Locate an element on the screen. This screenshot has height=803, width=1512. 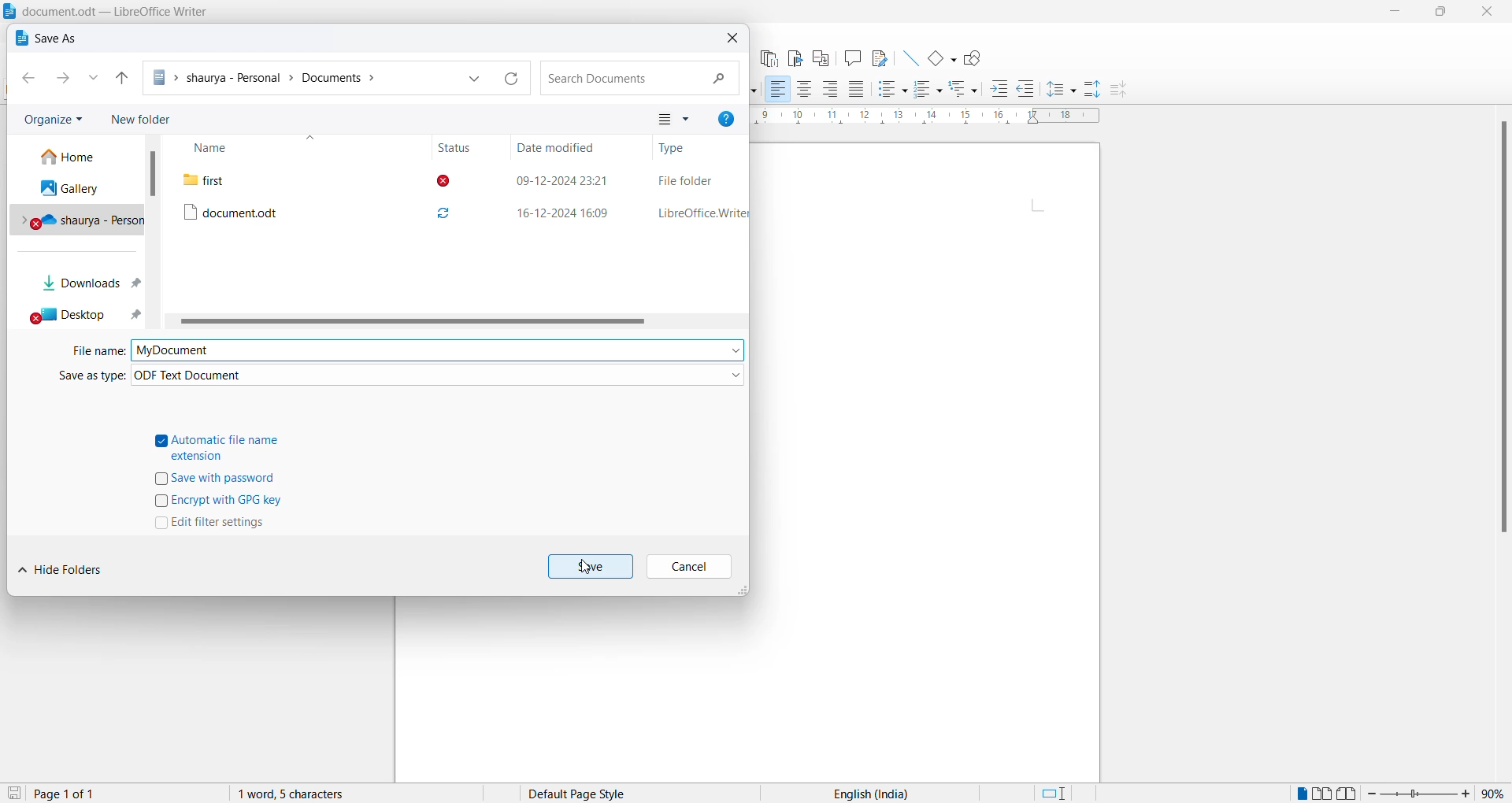
Book view is located at coordinates (1349, 793).